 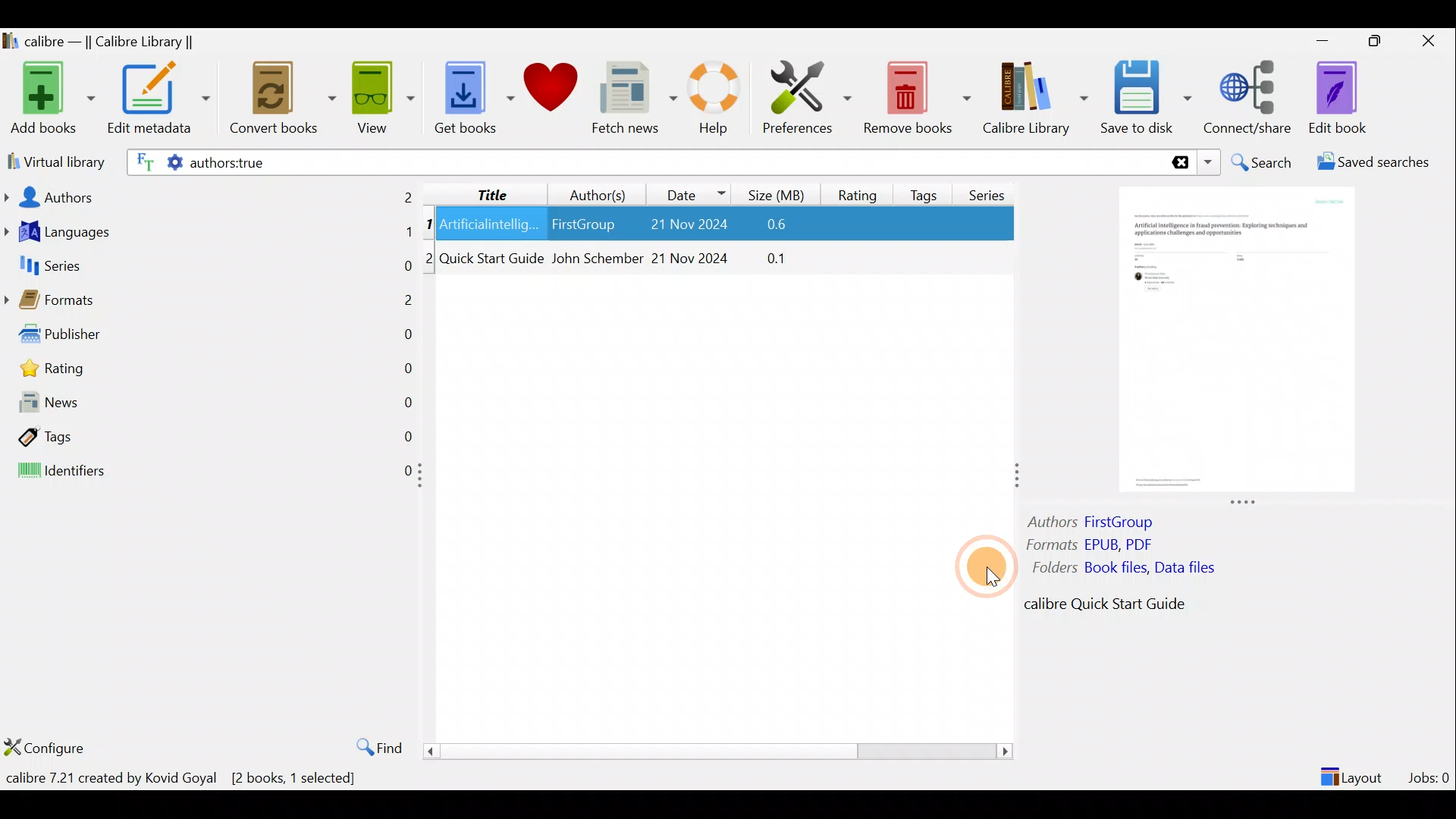 What do you see at coordinates (431, 257) in the screenshot?
I see `2` at bounding box center [431, 257].